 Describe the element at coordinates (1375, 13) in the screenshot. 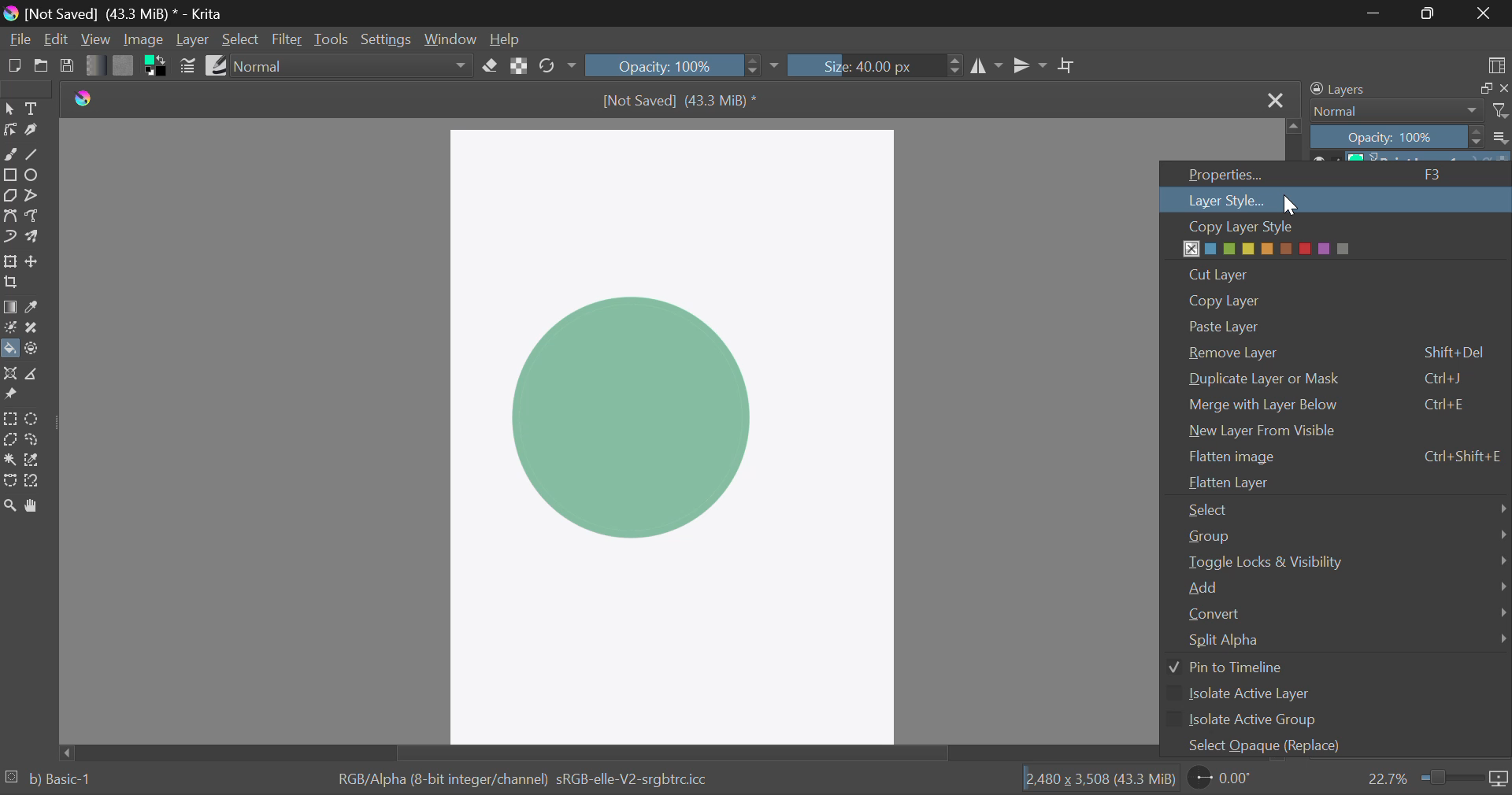

I see `Restore Down` at that location.